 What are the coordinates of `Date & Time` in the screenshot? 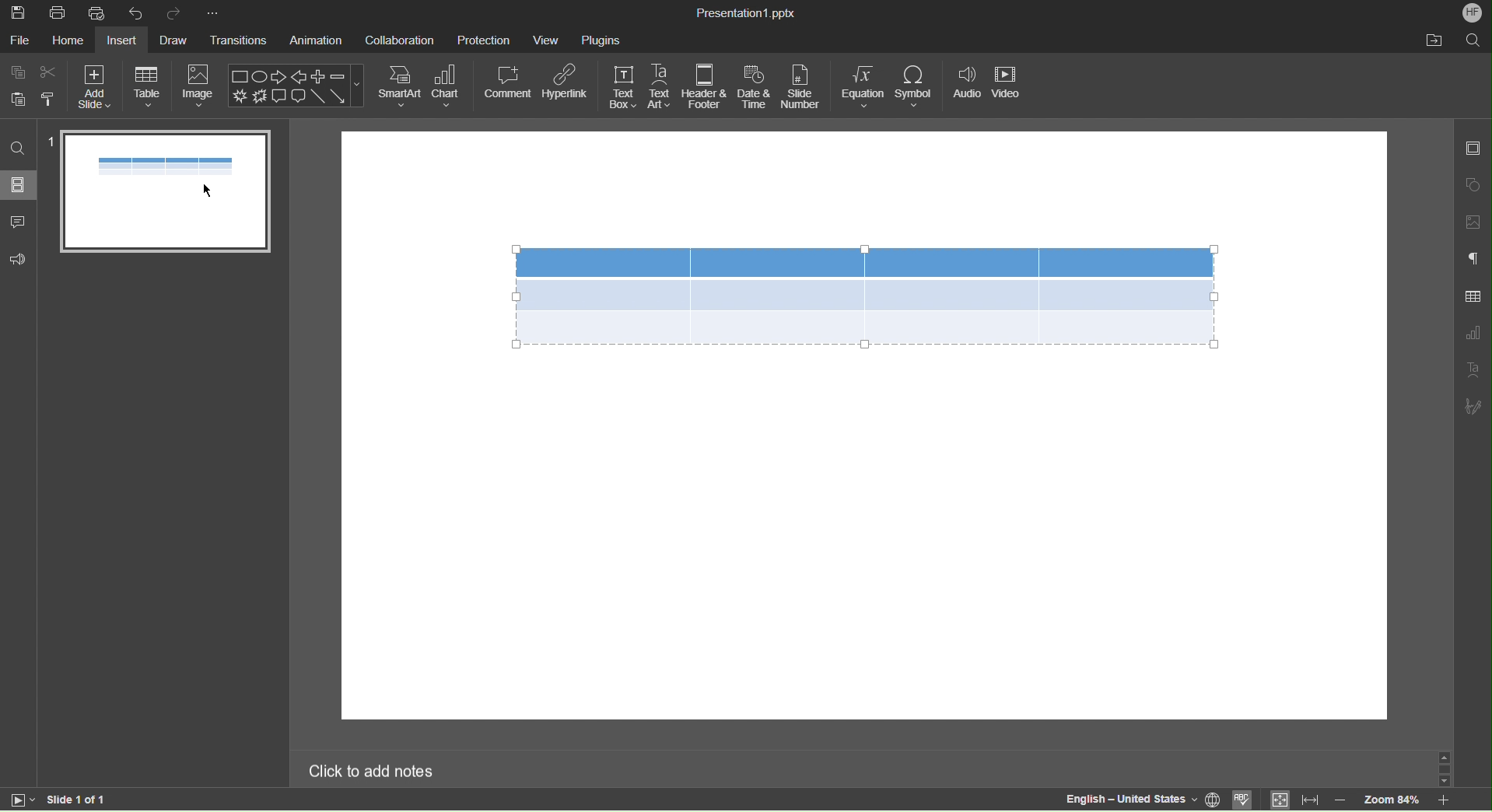 It's located at (755, 87).